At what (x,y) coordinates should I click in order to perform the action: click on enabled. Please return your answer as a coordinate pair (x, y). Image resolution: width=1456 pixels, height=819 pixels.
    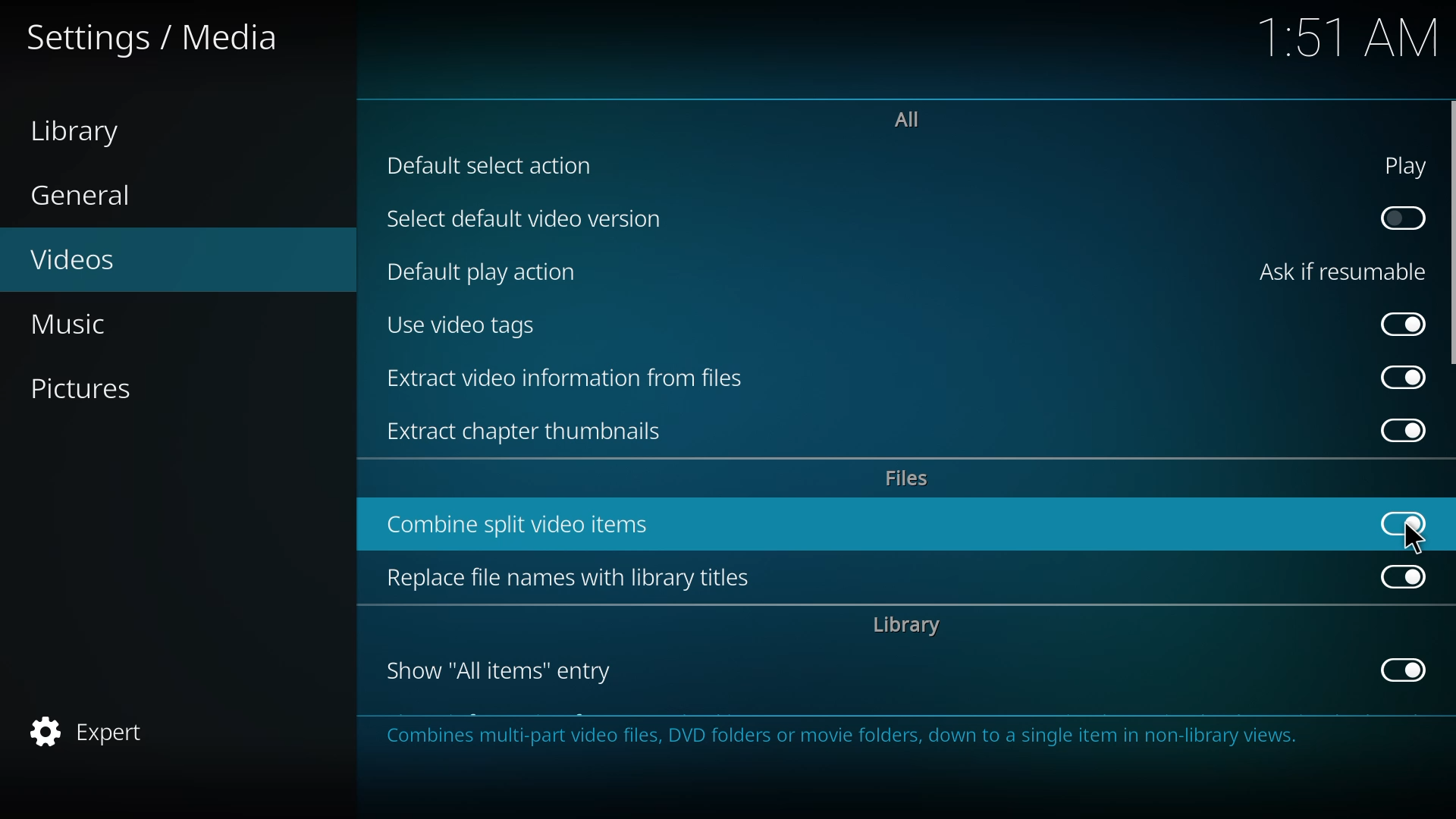
    Looking at the image, I should click on (1402, 574).